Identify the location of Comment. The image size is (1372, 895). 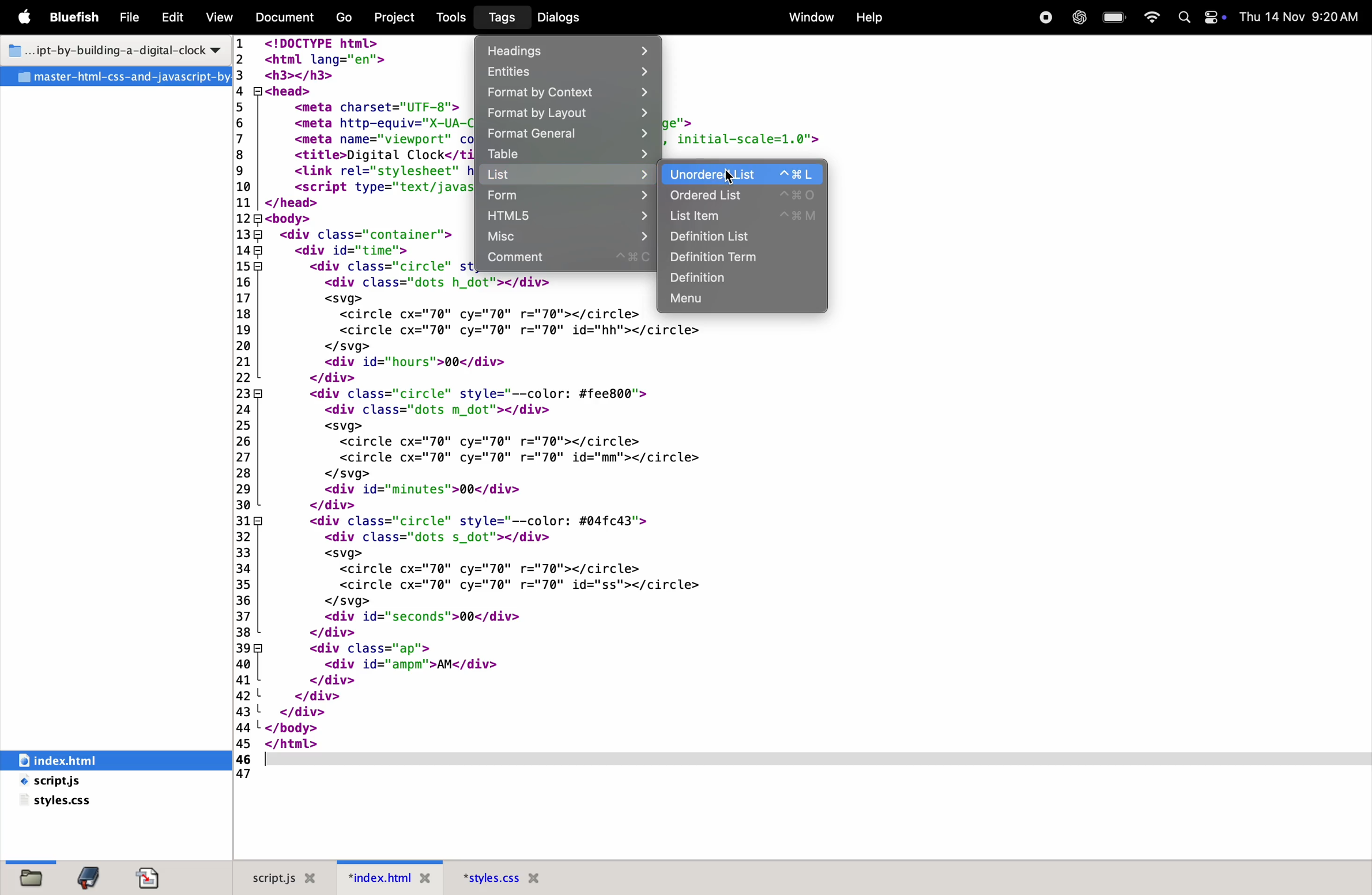
(568, 260).